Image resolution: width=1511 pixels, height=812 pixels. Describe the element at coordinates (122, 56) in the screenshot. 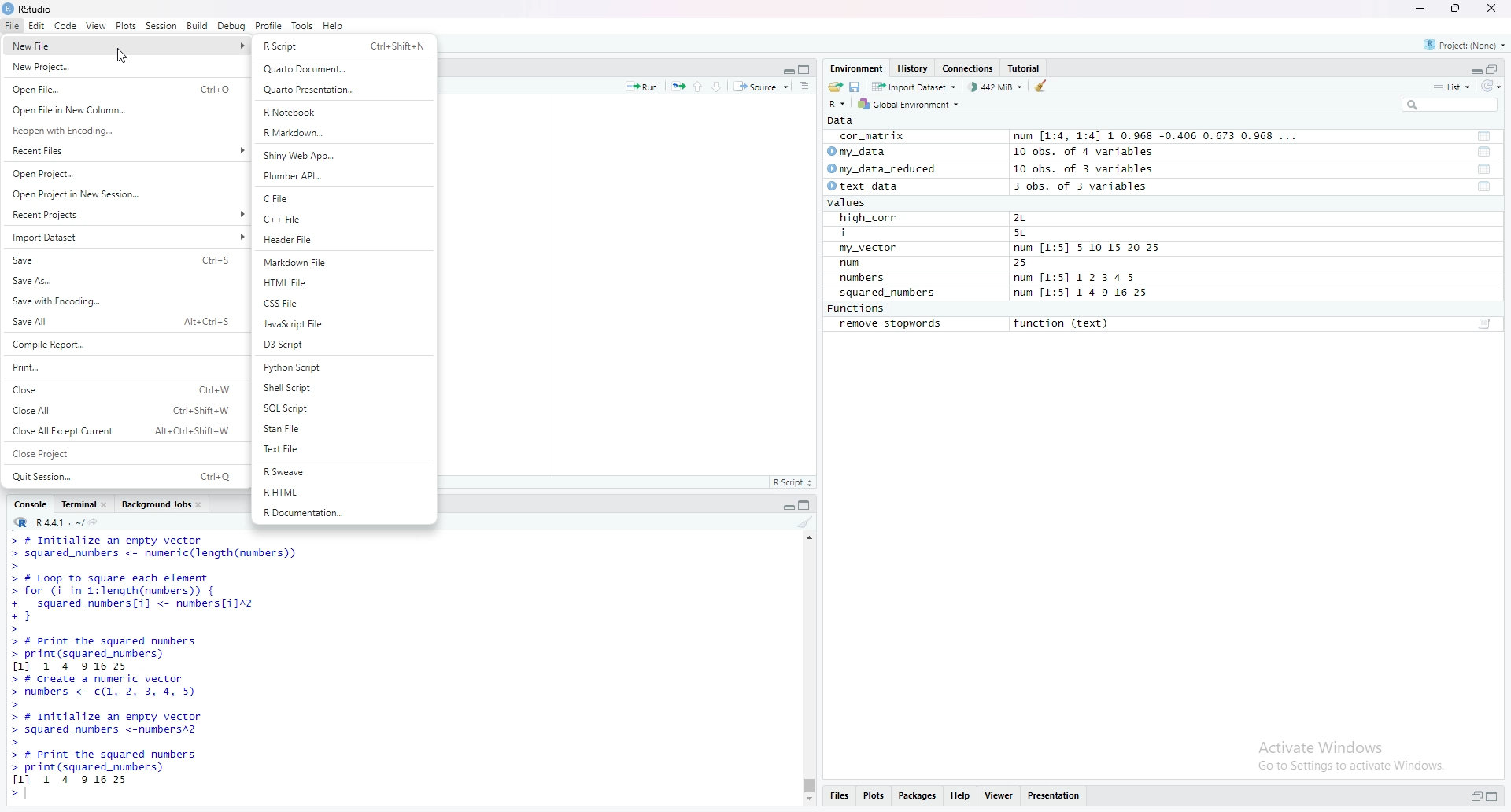

I see `Cursor` at that location.